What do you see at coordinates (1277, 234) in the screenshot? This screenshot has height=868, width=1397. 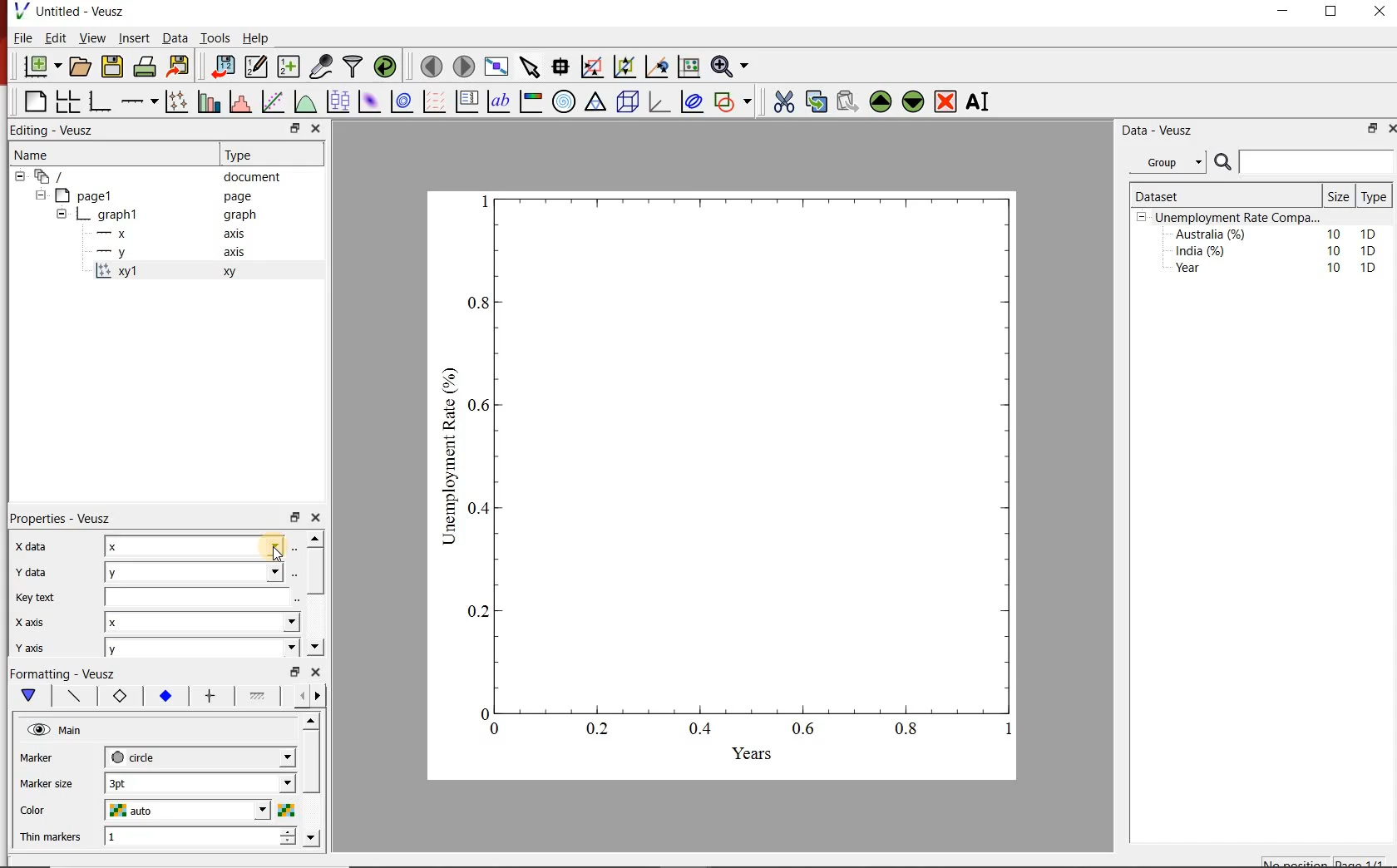 I see `Australia (%) 10 1D` at bounding box center [1277, 234].